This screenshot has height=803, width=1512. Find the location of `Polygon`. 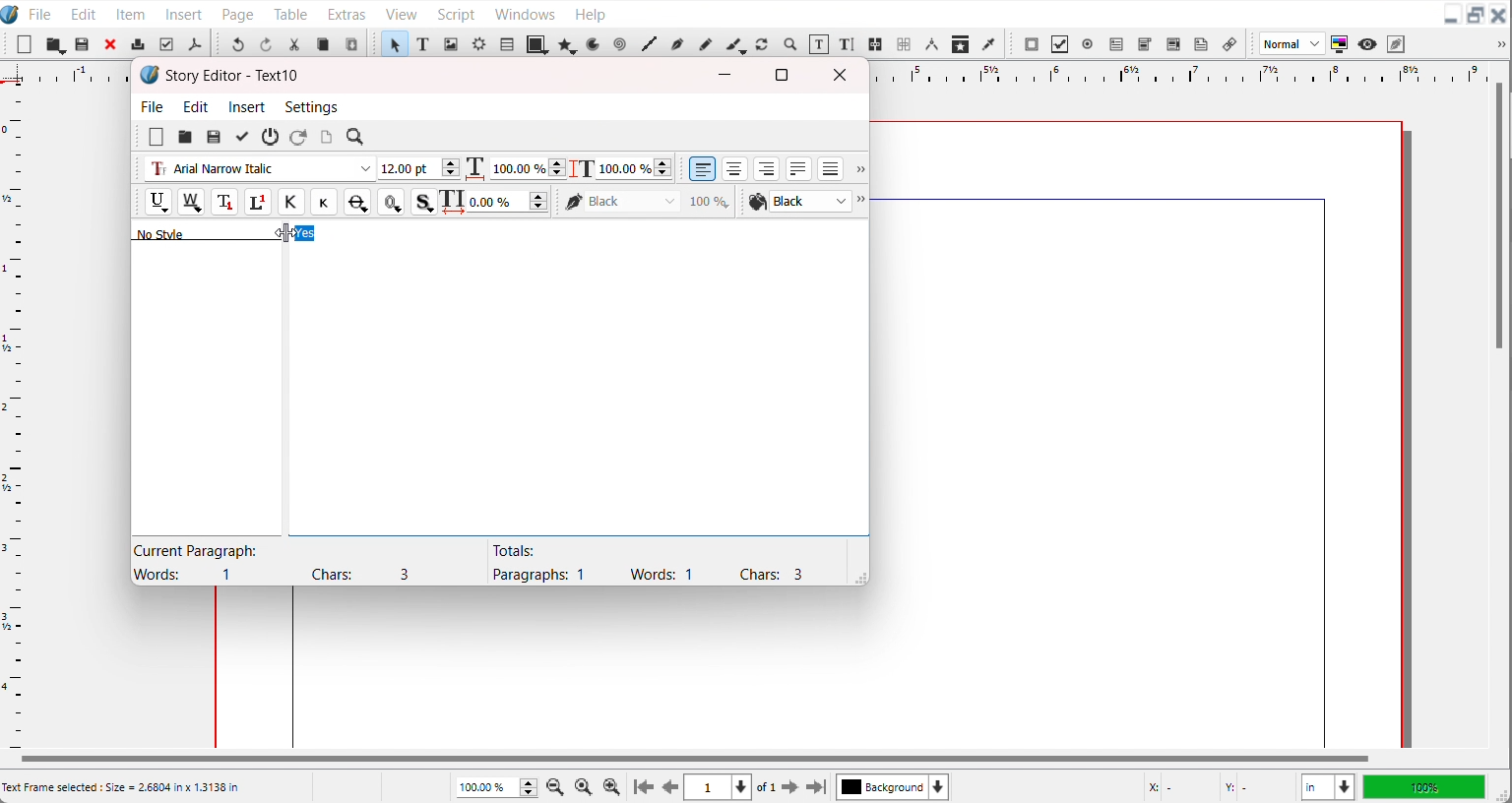

Polygon is located at coordinates (568, 44).